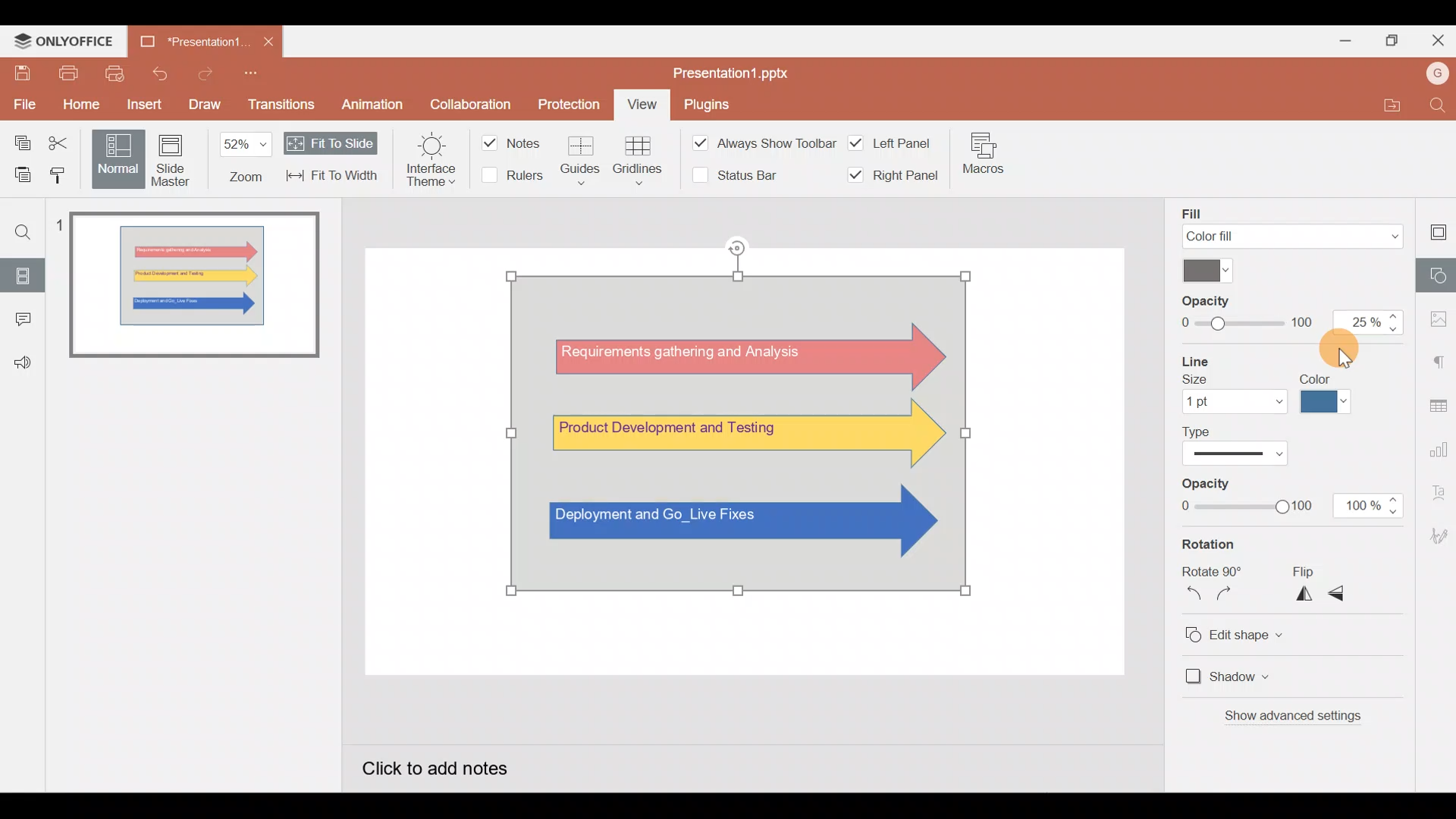 The height and width of the screenshot is (819, 1456). What do you see at coordinates (1393, 42) in the screenshot?
I see `Maximize` at bounding box center [1393, 42].